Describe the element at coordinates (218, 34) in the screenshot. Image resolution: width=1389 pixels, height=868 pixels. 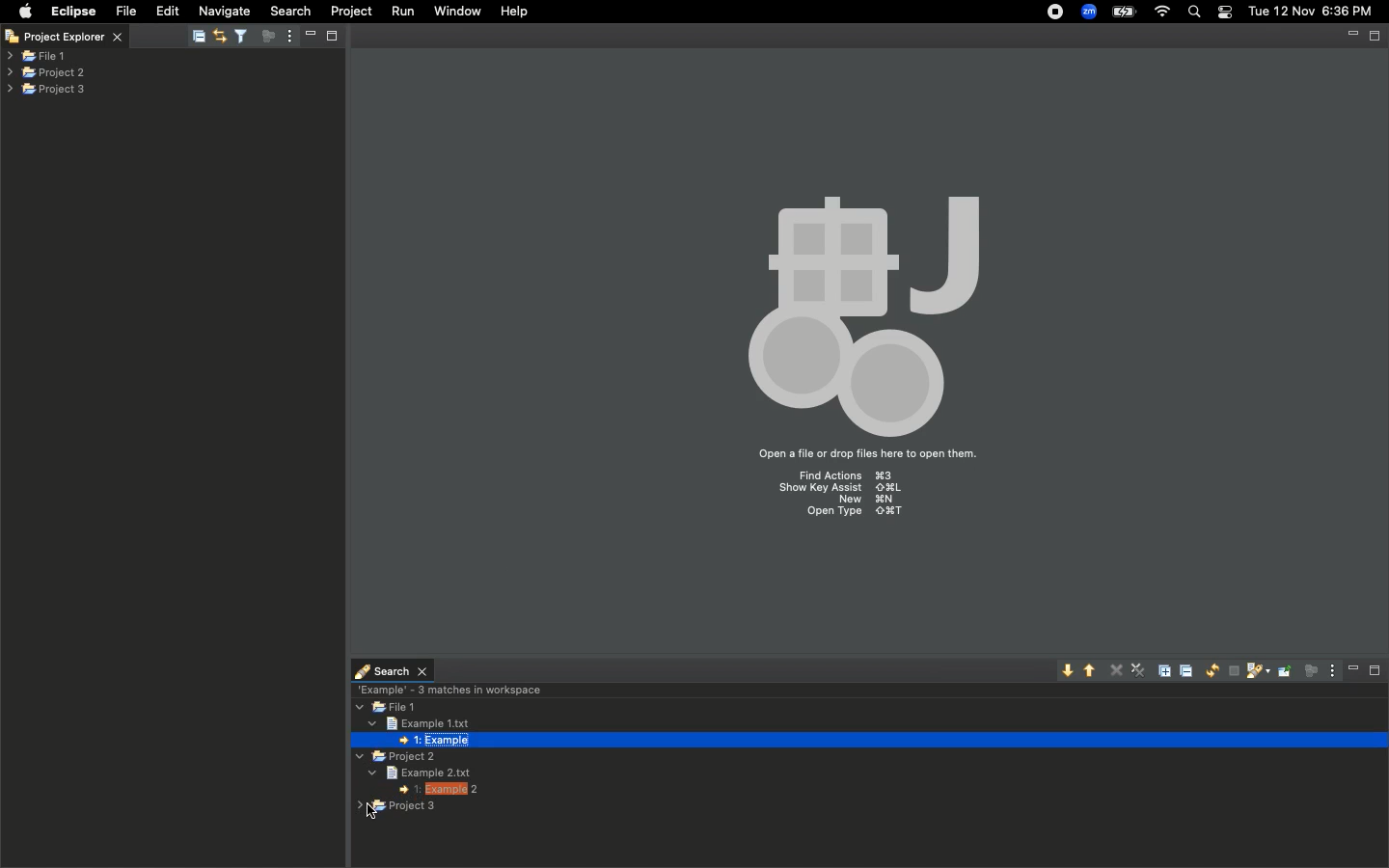
I see `Link with editor` at that location.